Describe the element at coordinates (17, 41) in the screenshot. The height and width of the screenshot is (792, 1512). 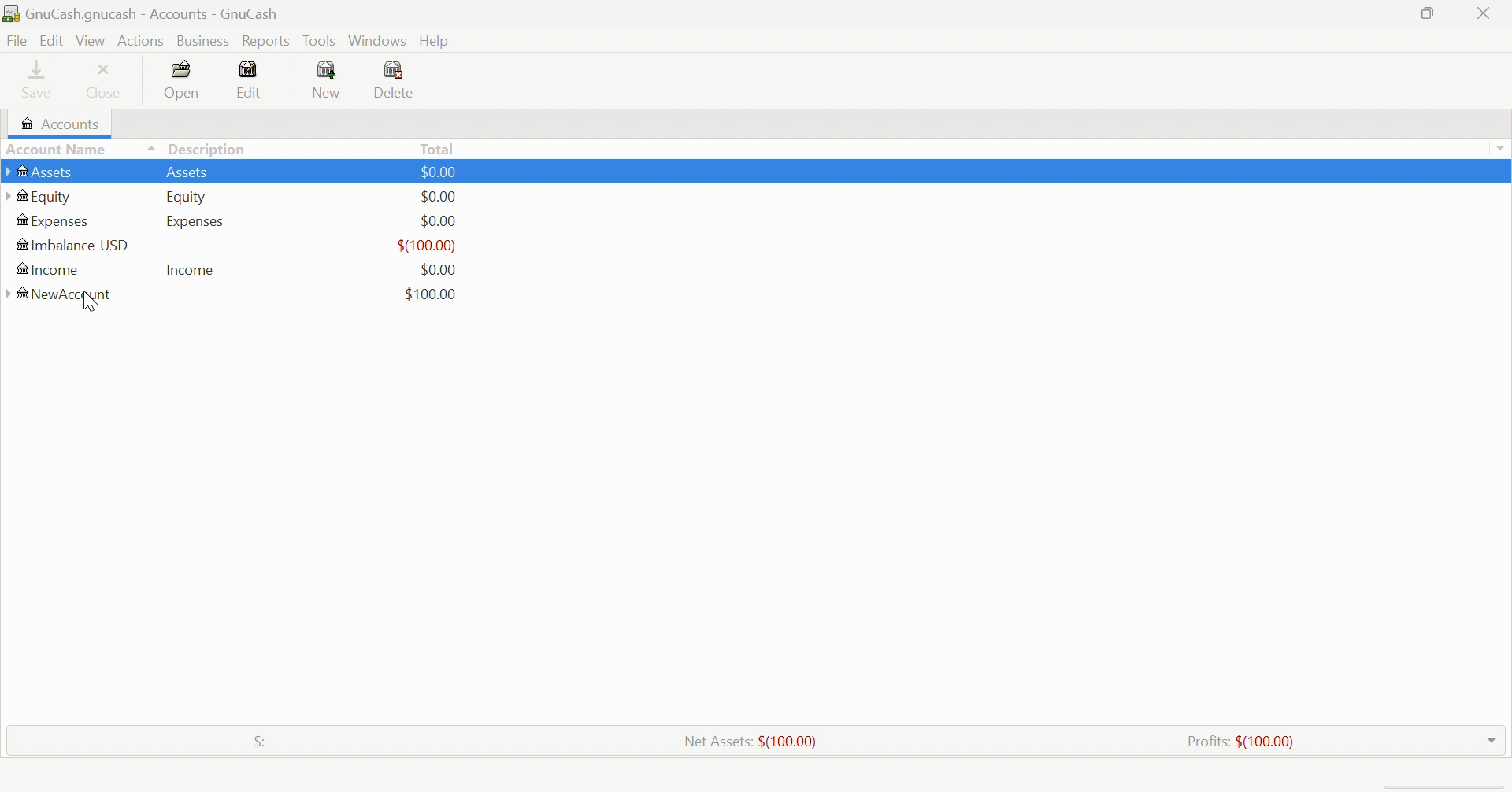
I see `File` at that location.